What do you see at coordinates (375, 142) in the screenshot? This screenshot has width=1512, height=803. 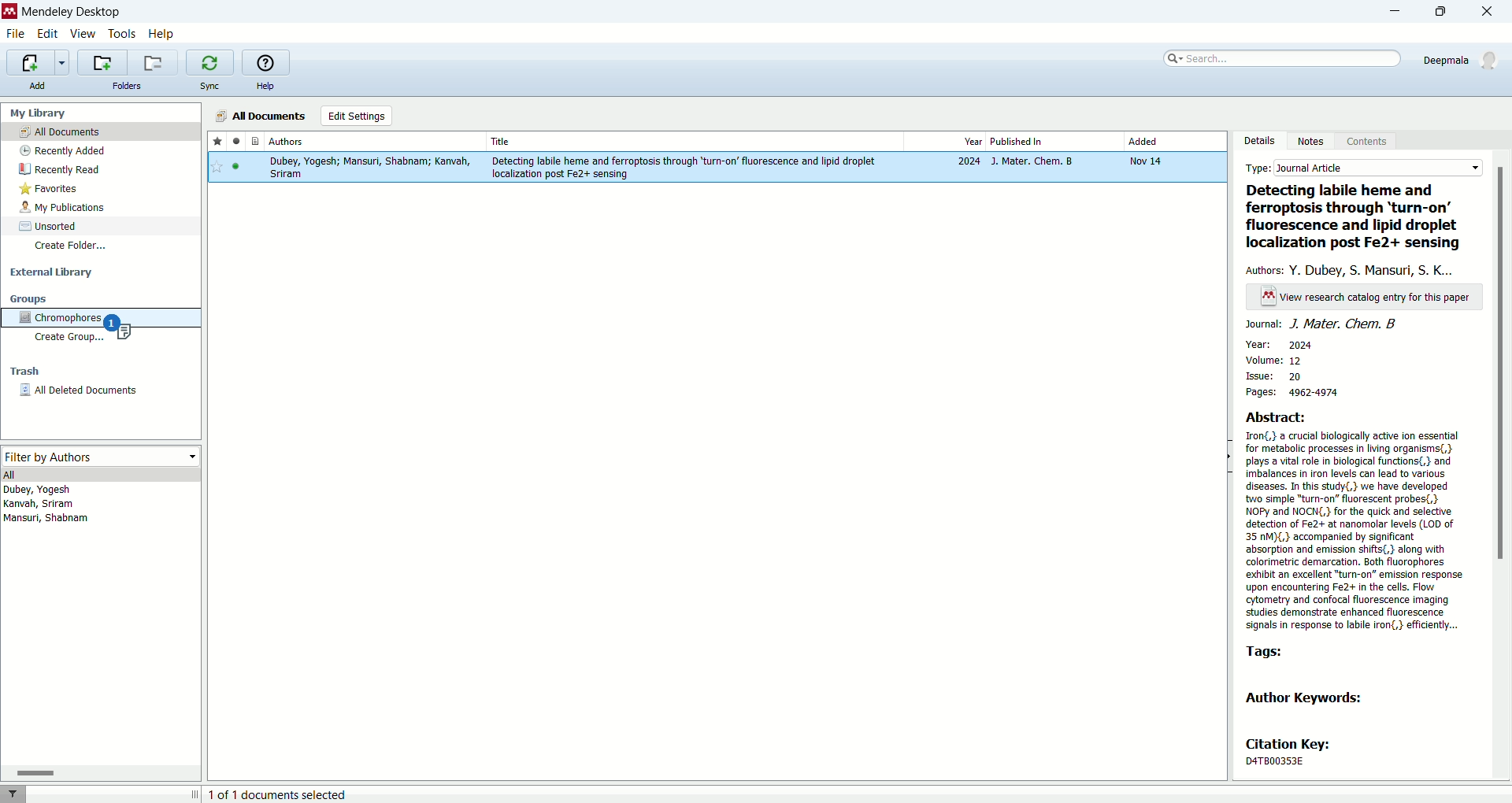 I see `authors` at bounding box center [375, 142].